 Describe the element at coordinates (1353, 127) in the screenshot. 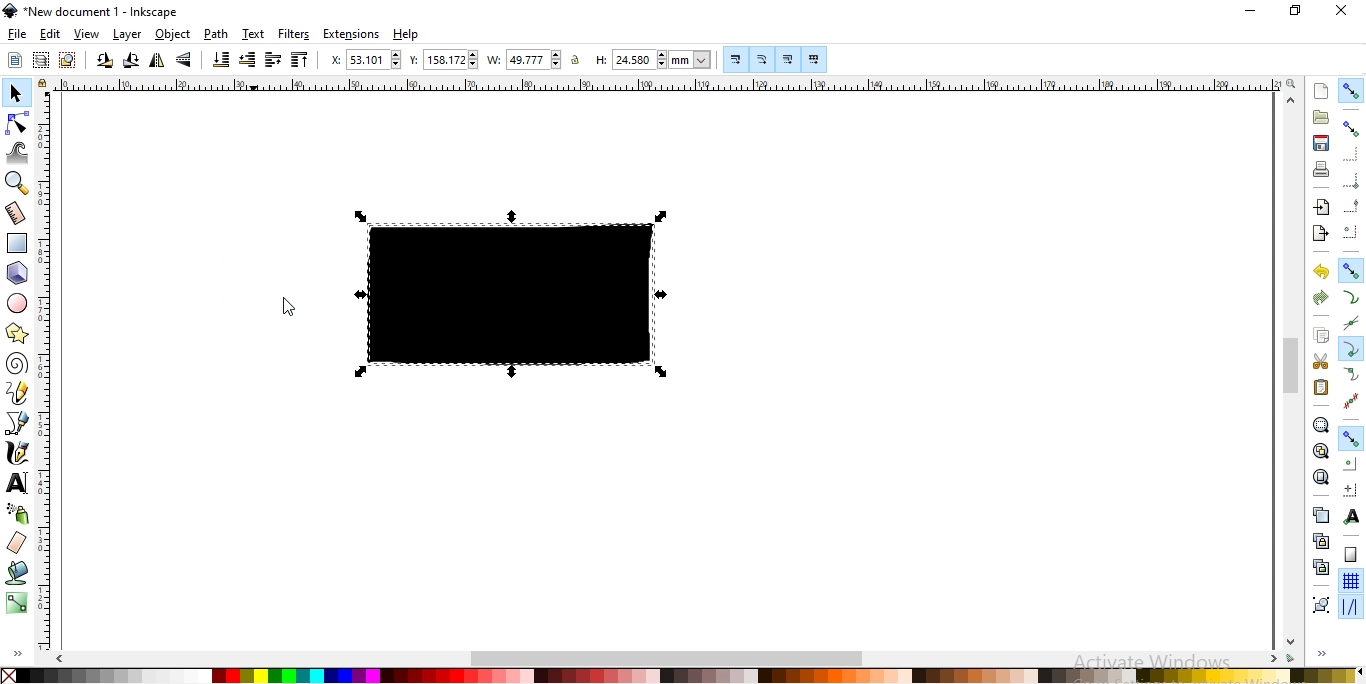

I see `snap bounding boxes` at that location.